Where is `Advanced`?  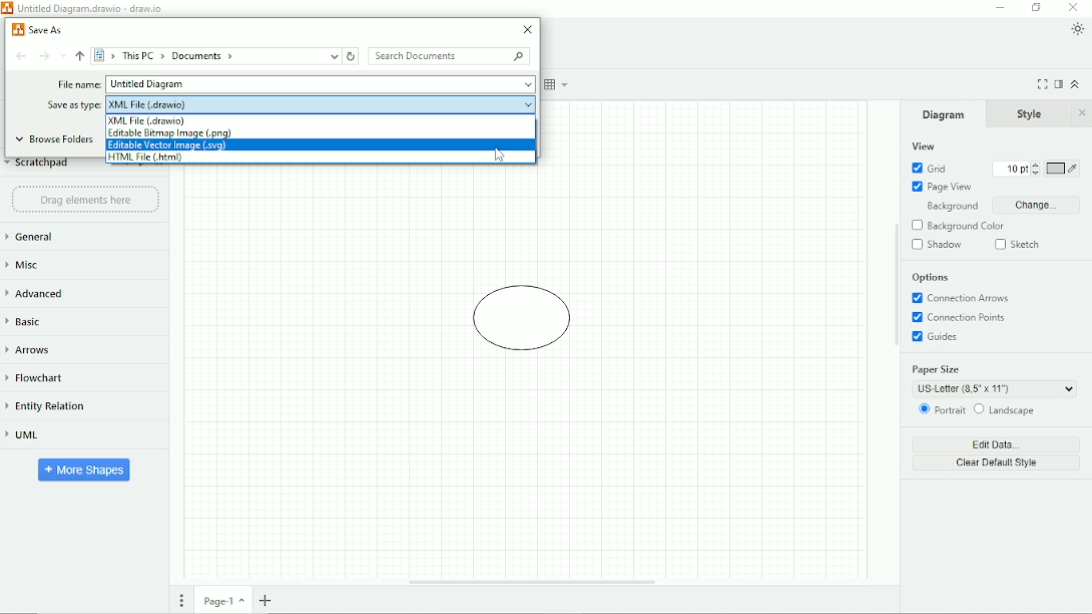 Advanced is located at coordinates (38, 293).